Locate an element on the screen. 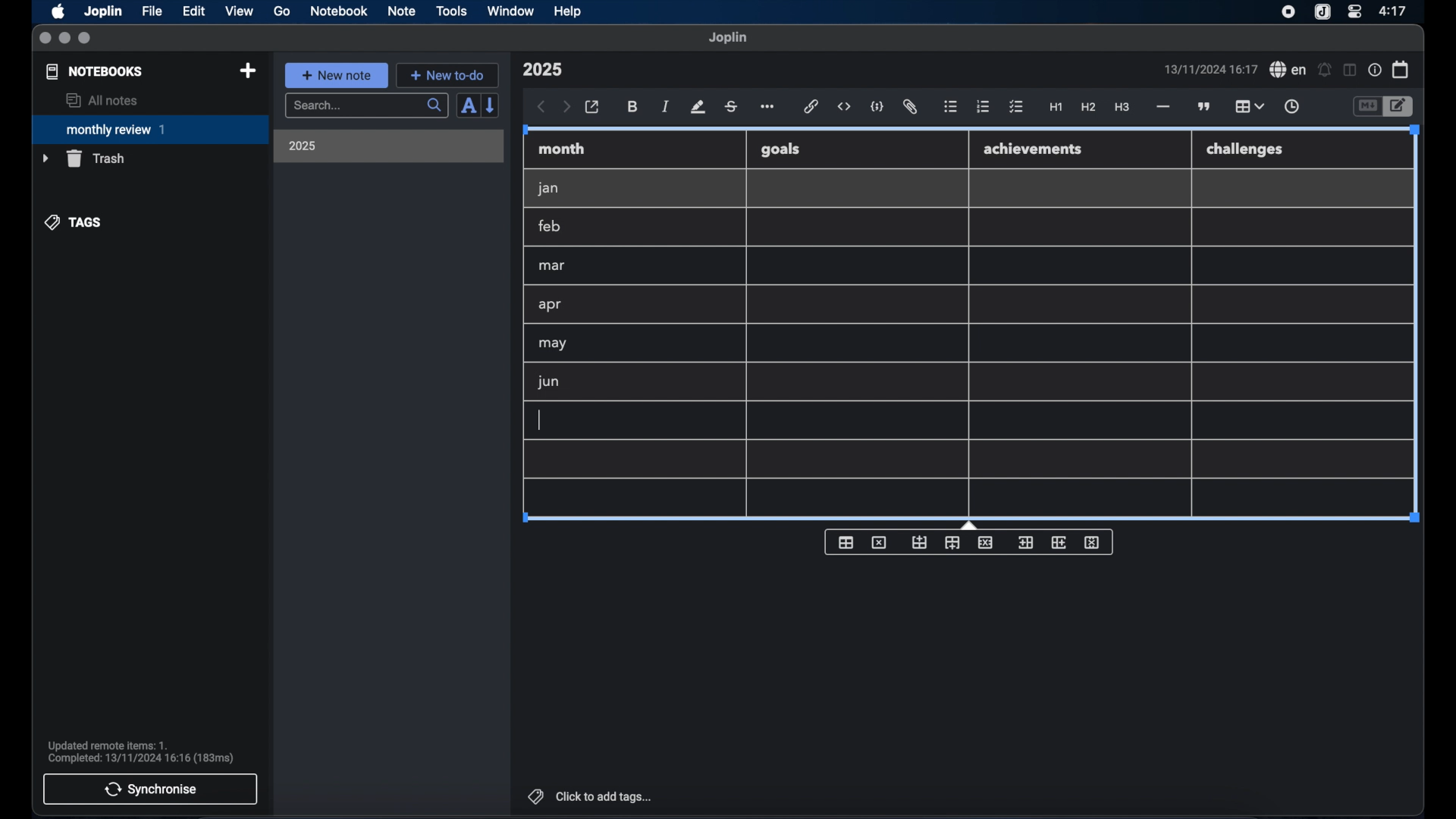 Image resolution: width=1456 pixels, height=819 pixels. bulleted list is located at coordinates (950, 107).